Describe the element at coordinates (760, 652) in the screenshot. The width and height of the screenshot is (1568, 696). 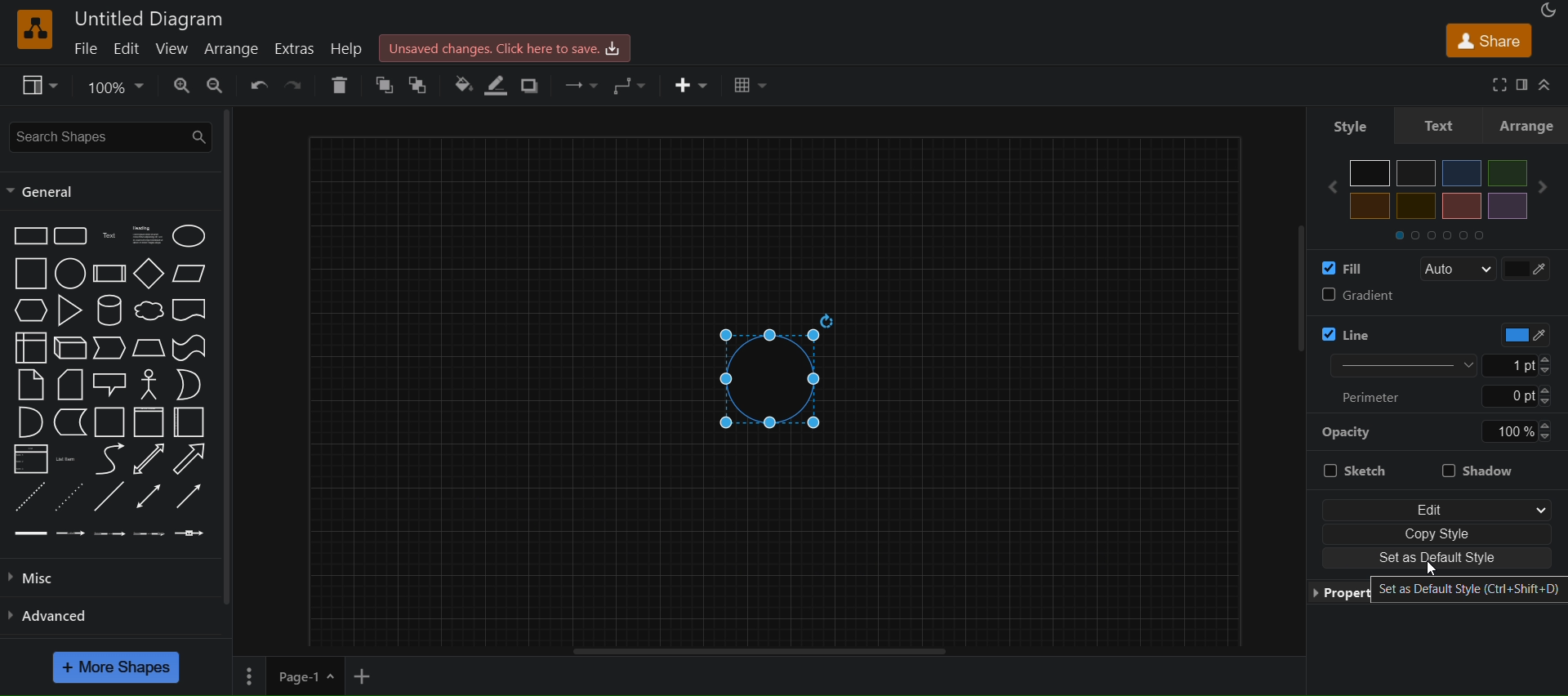
I see `horizontal scroll bar` at that location.